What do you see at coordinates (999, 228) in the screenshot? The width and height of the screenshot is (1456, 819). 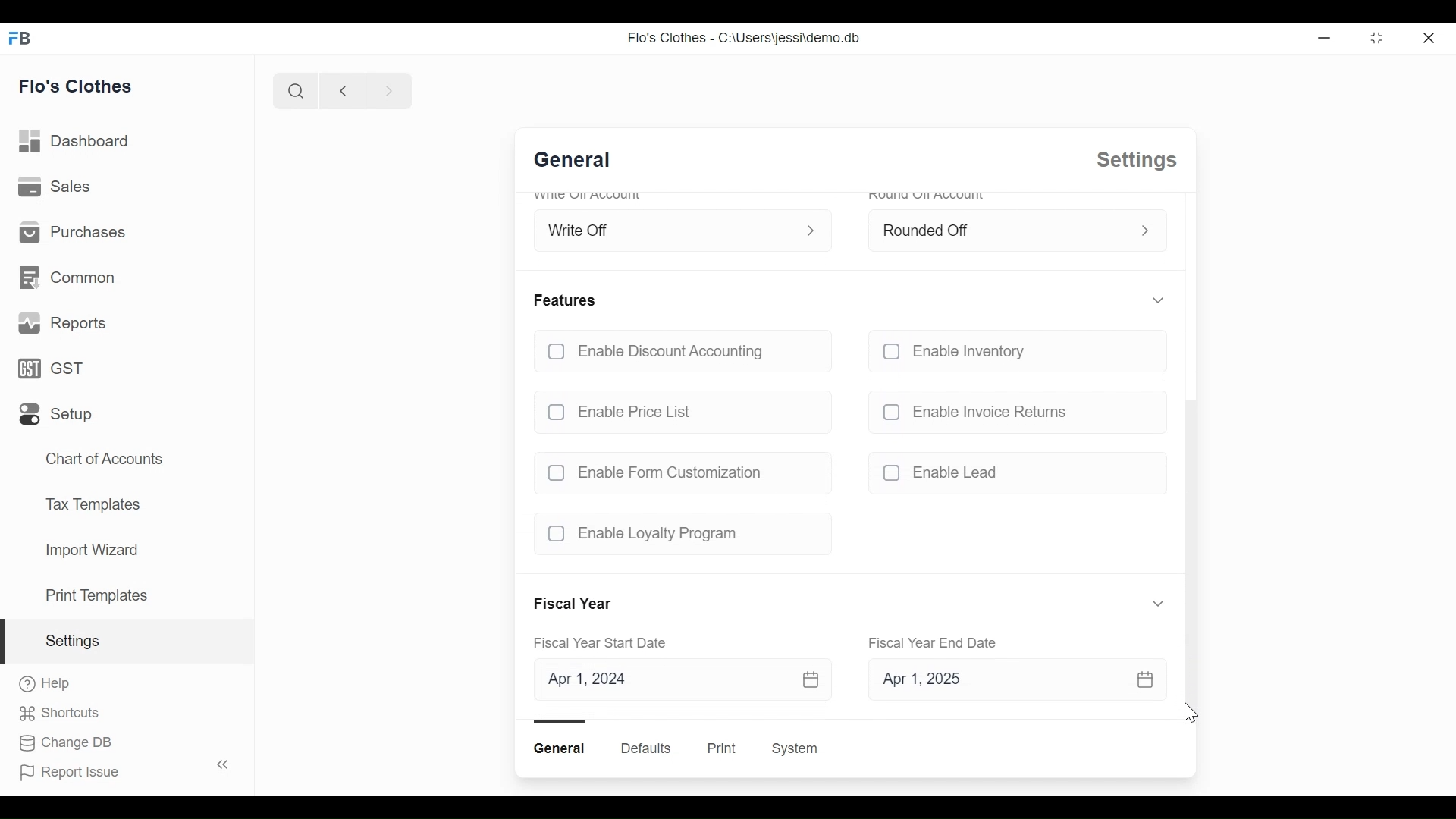 I see `Rounded Off` at bounding box center [999, 228].